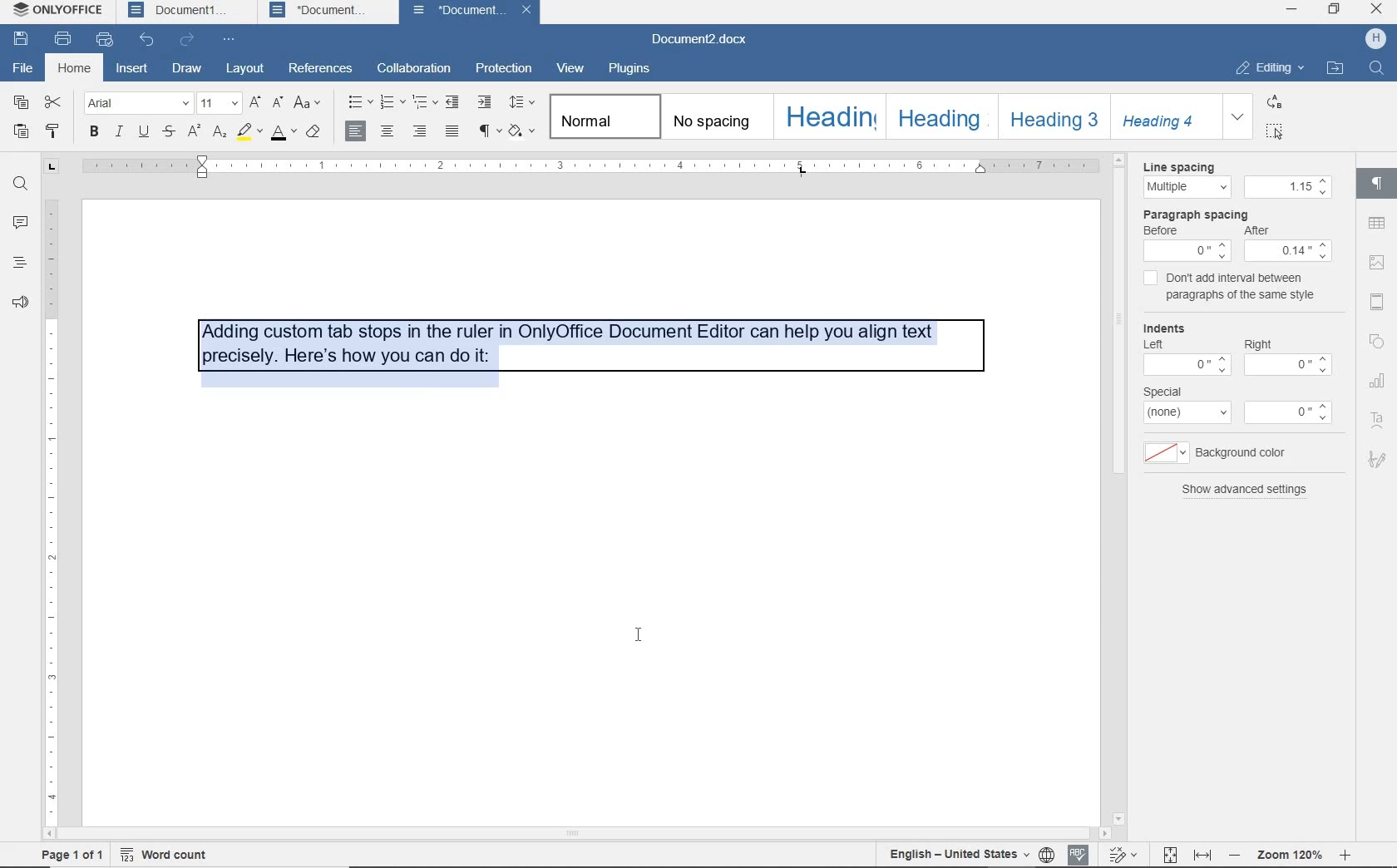  What do you see at coordinates (358, 101) in the screenshot?
I see `bullets` at bounding box center [358, 101].